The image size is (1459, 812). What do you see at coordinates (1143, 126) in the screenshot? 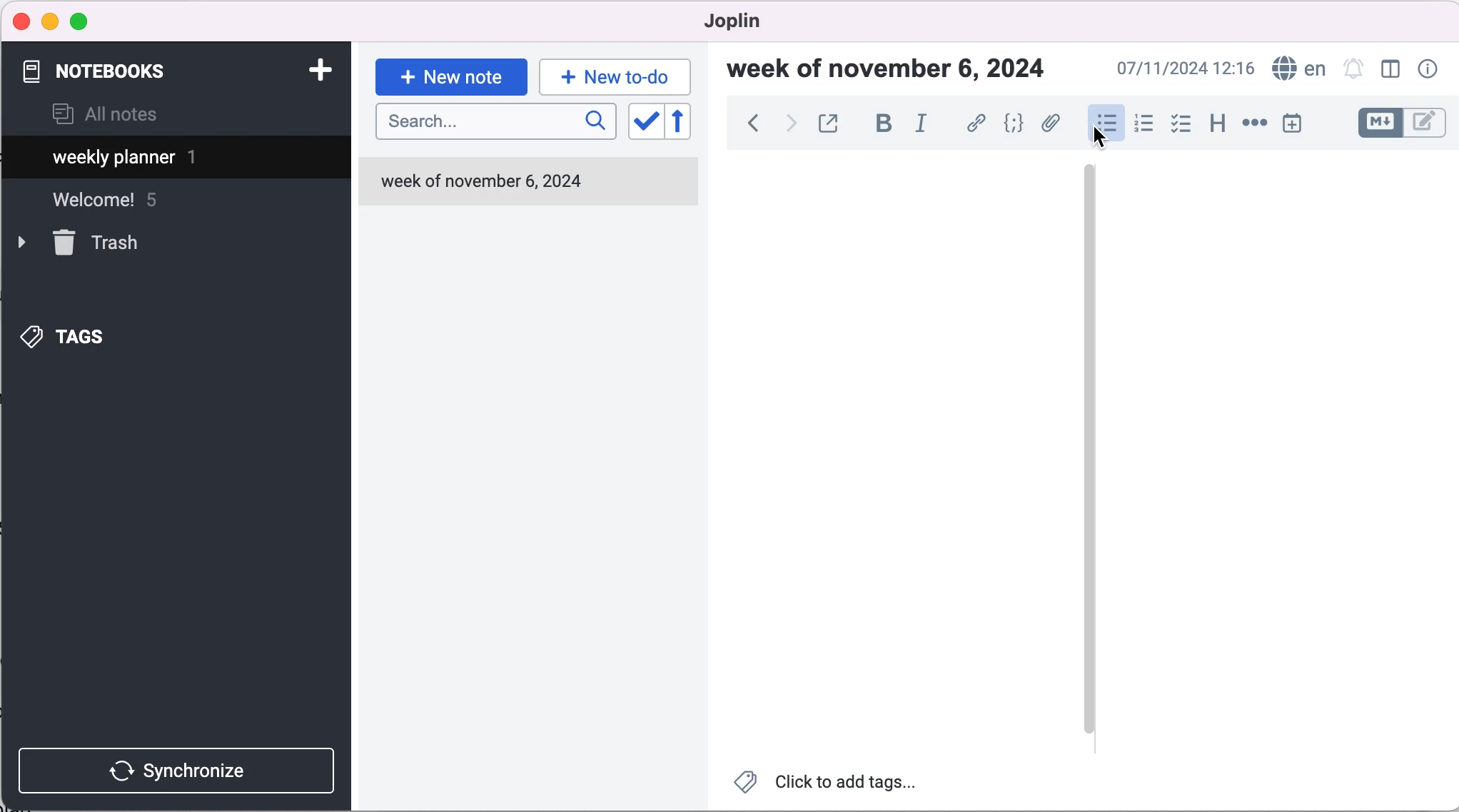
I see `numbered list` at bounding box center [1143, 126].